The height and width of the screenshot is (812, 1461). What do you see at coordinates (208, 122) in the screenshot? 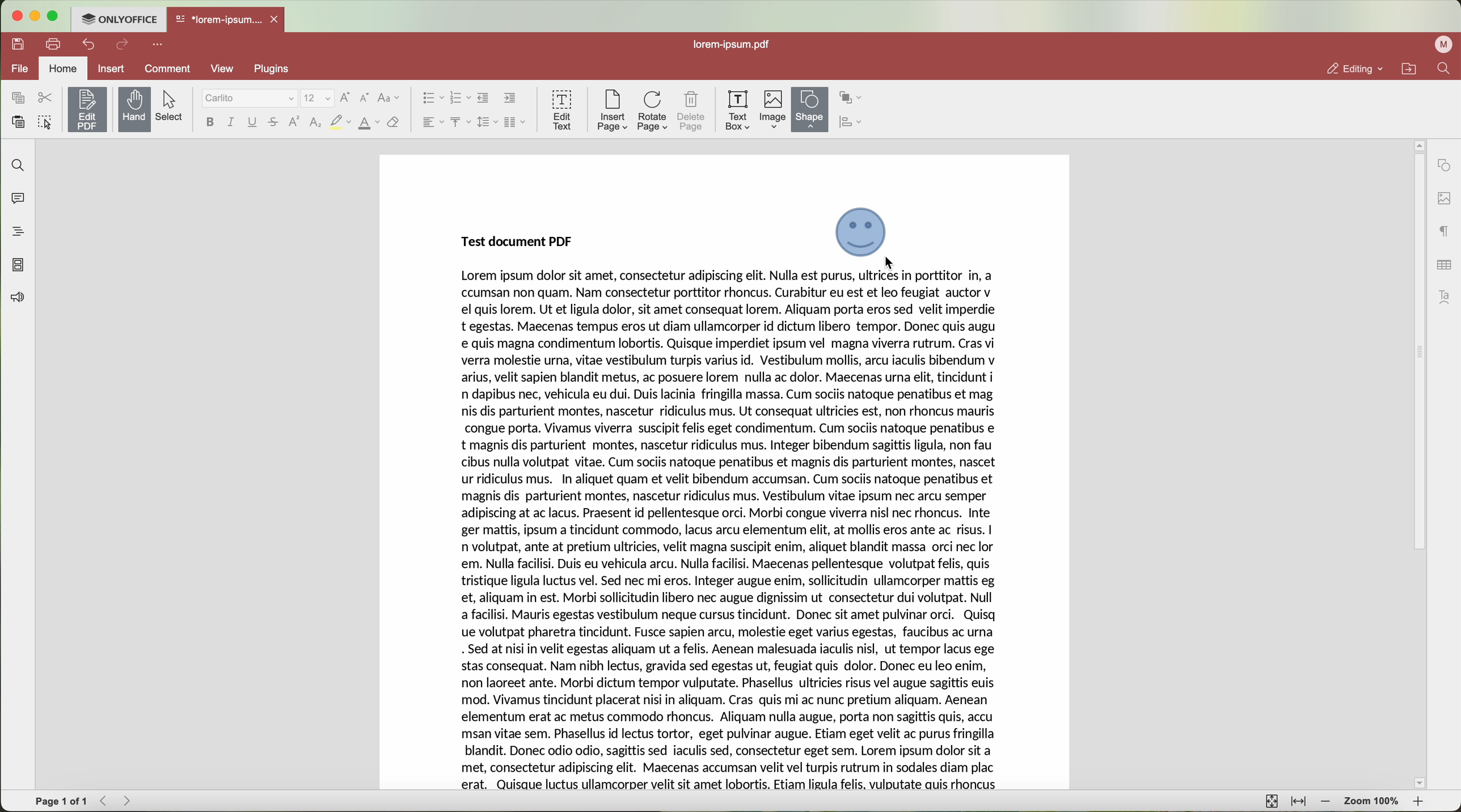
I see `bold` at bounding box center [208, 122].